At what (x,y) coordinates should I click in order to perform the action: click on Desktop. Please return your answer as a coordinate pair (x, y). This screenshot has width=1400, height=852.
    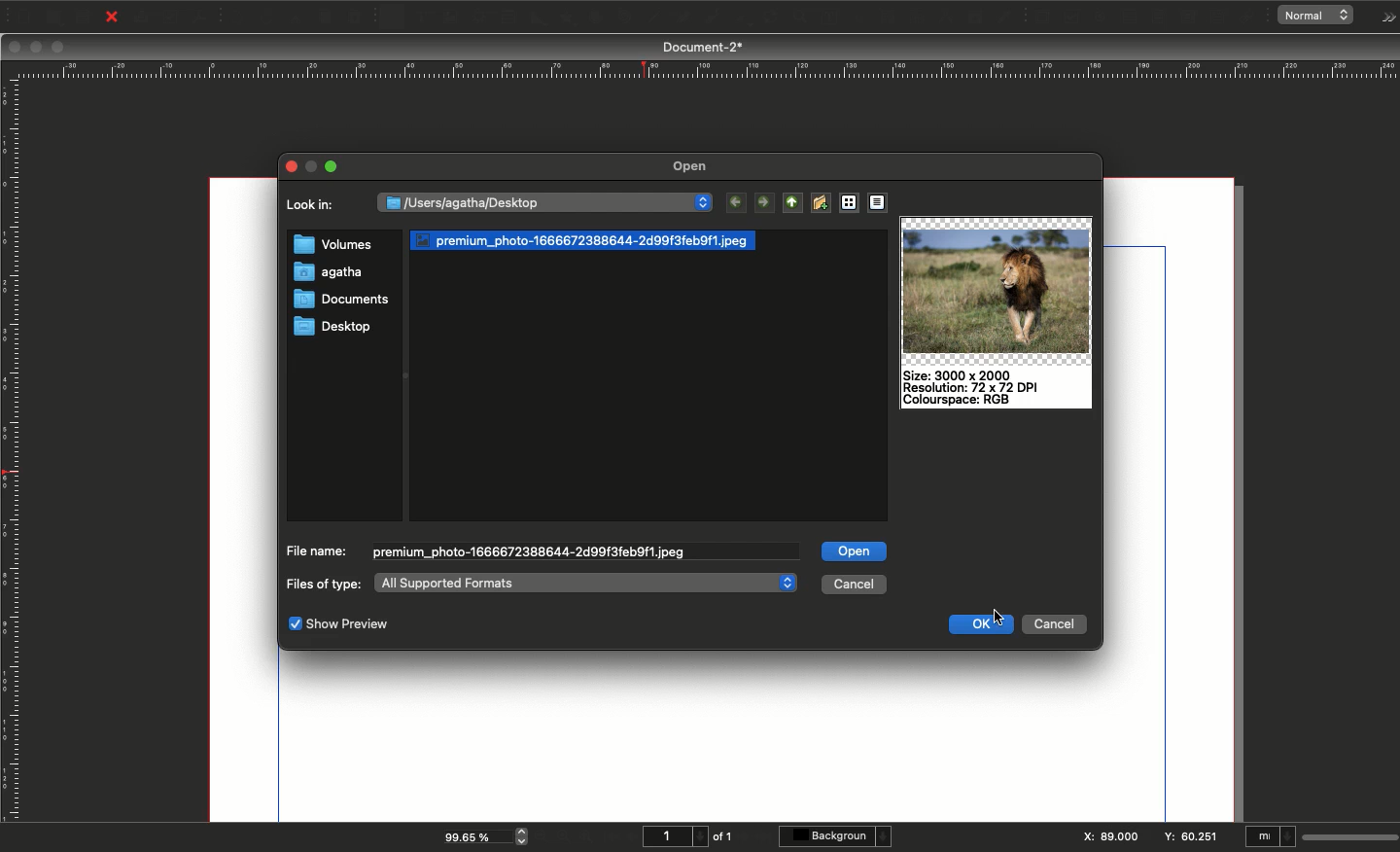
    Looking at the image, I should click on (333, 327).